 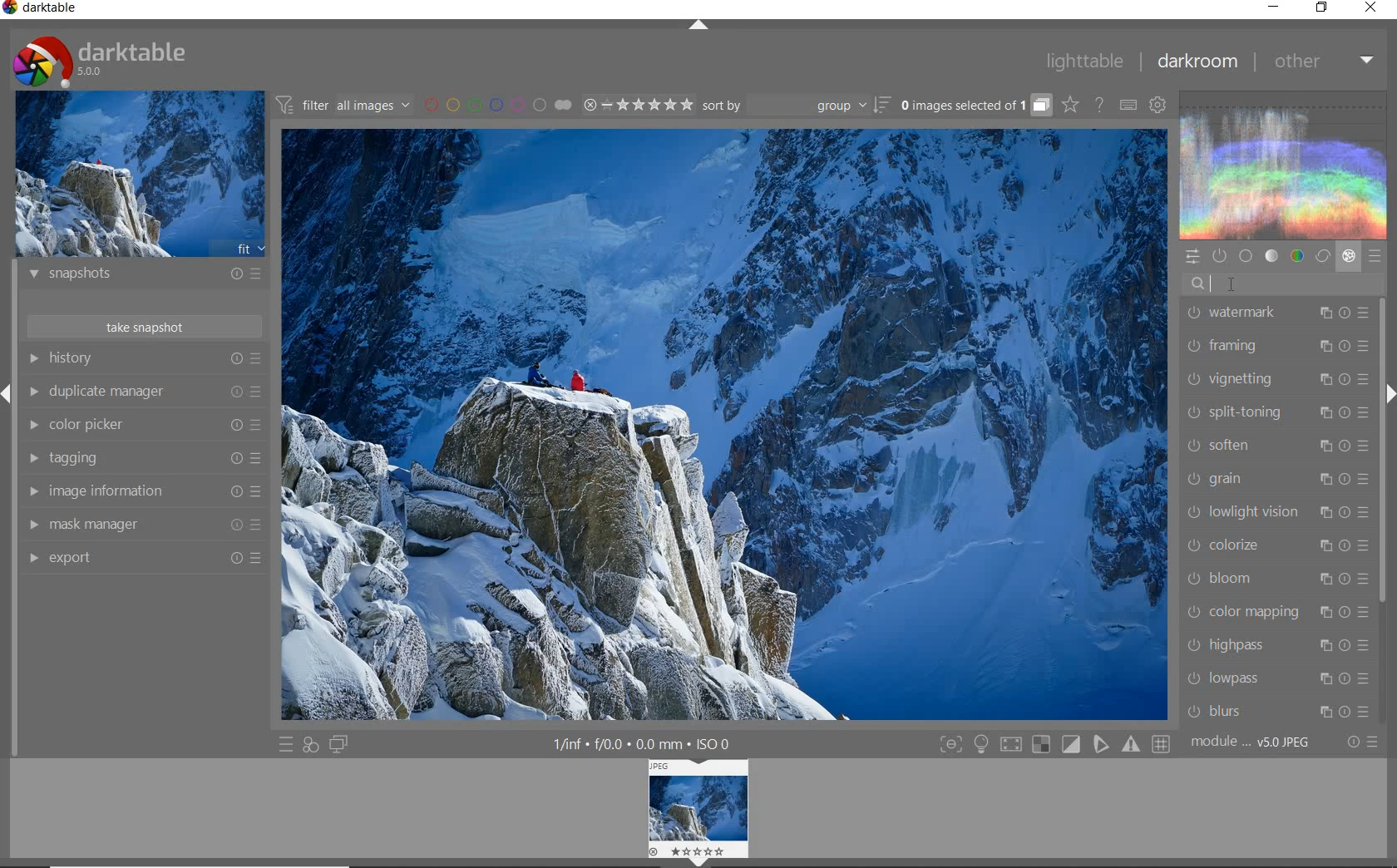 I want to click on 1/inf*f/0.0 mm*ISO 0, so click(x=648, y=743).